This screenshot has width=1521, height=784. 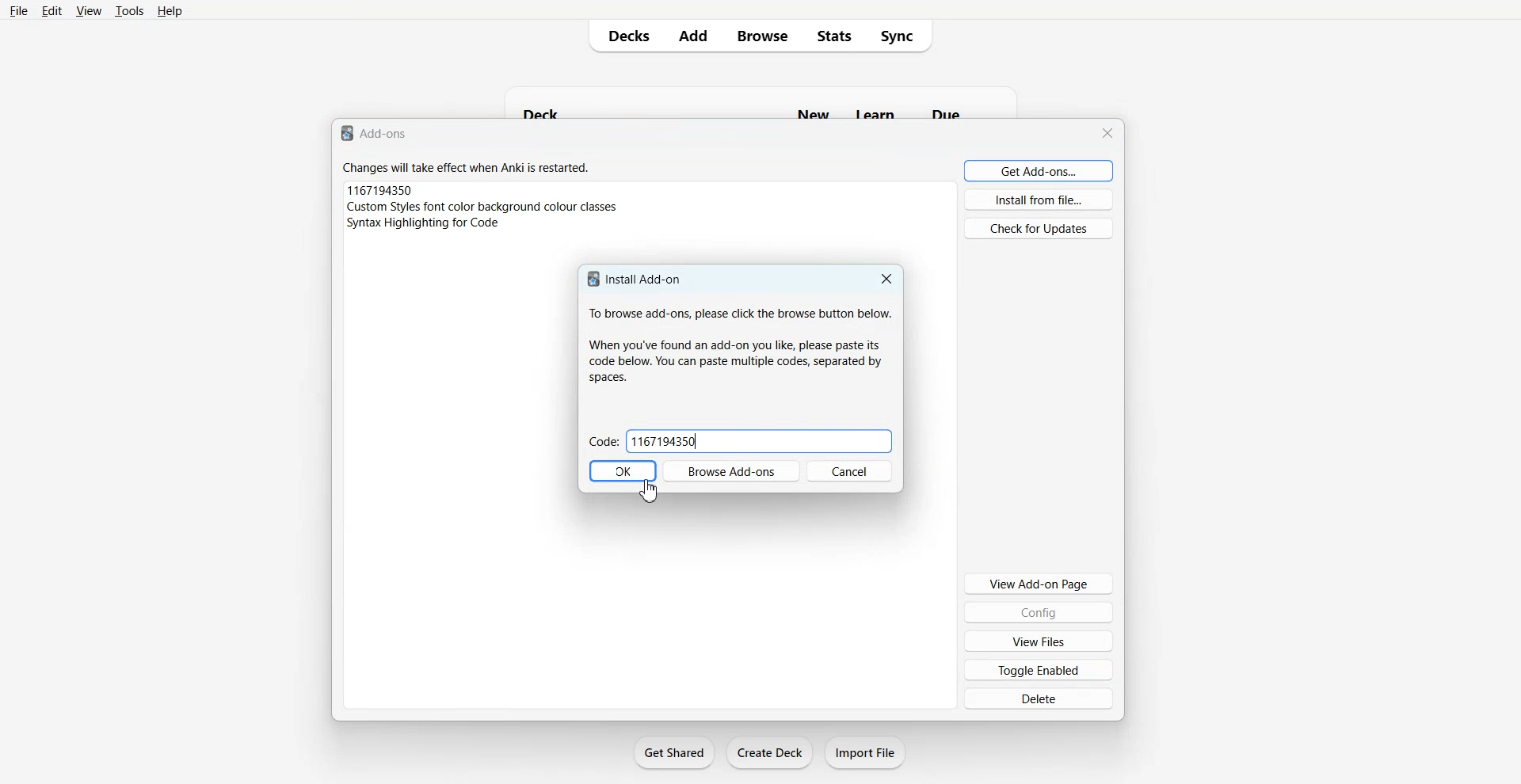 I want to click on Syntax Highlighting for Code, so click(x=424, y=222).